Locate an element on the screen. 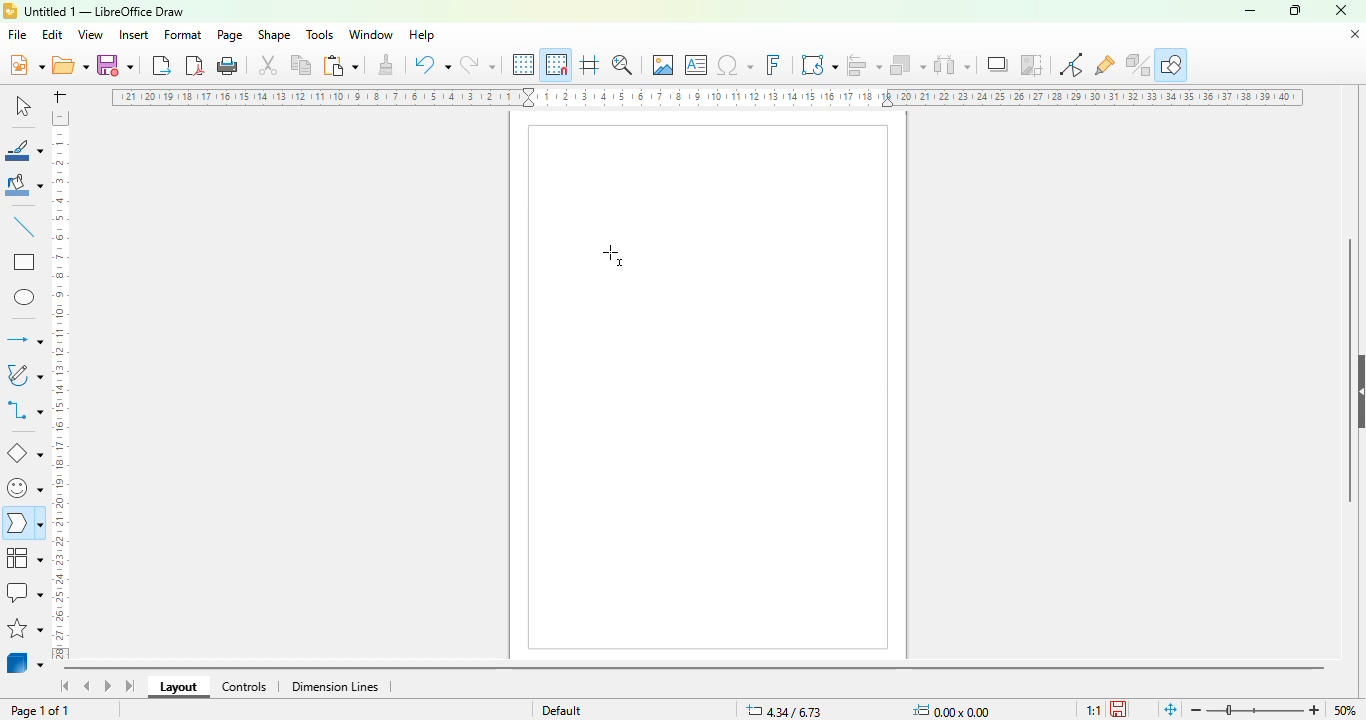 The height and width of the screenshot is (720, 1366). vertical scroll bar is located at coordinates (1350, 371).